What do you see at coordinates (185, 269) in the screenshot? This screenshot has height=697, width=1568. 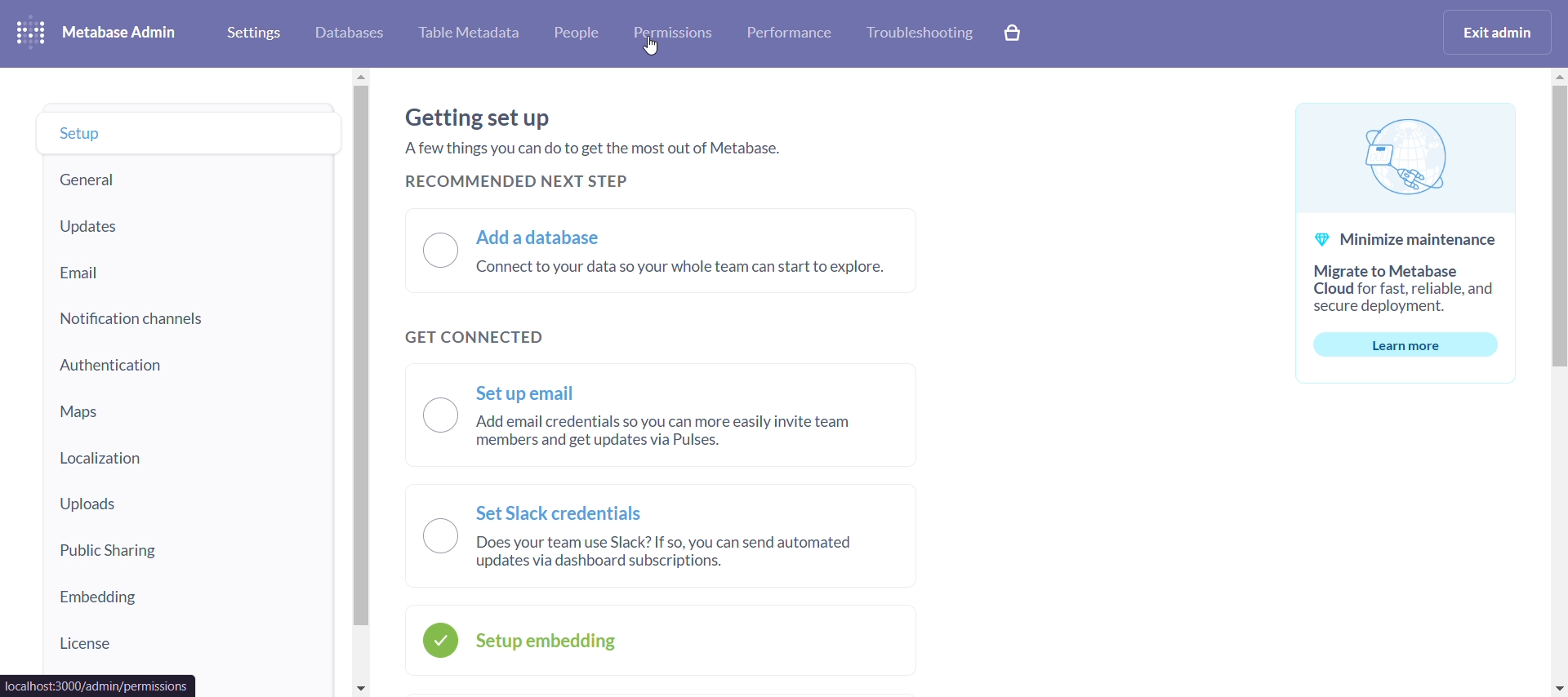 I see `email` at bounding box center [185, 269].